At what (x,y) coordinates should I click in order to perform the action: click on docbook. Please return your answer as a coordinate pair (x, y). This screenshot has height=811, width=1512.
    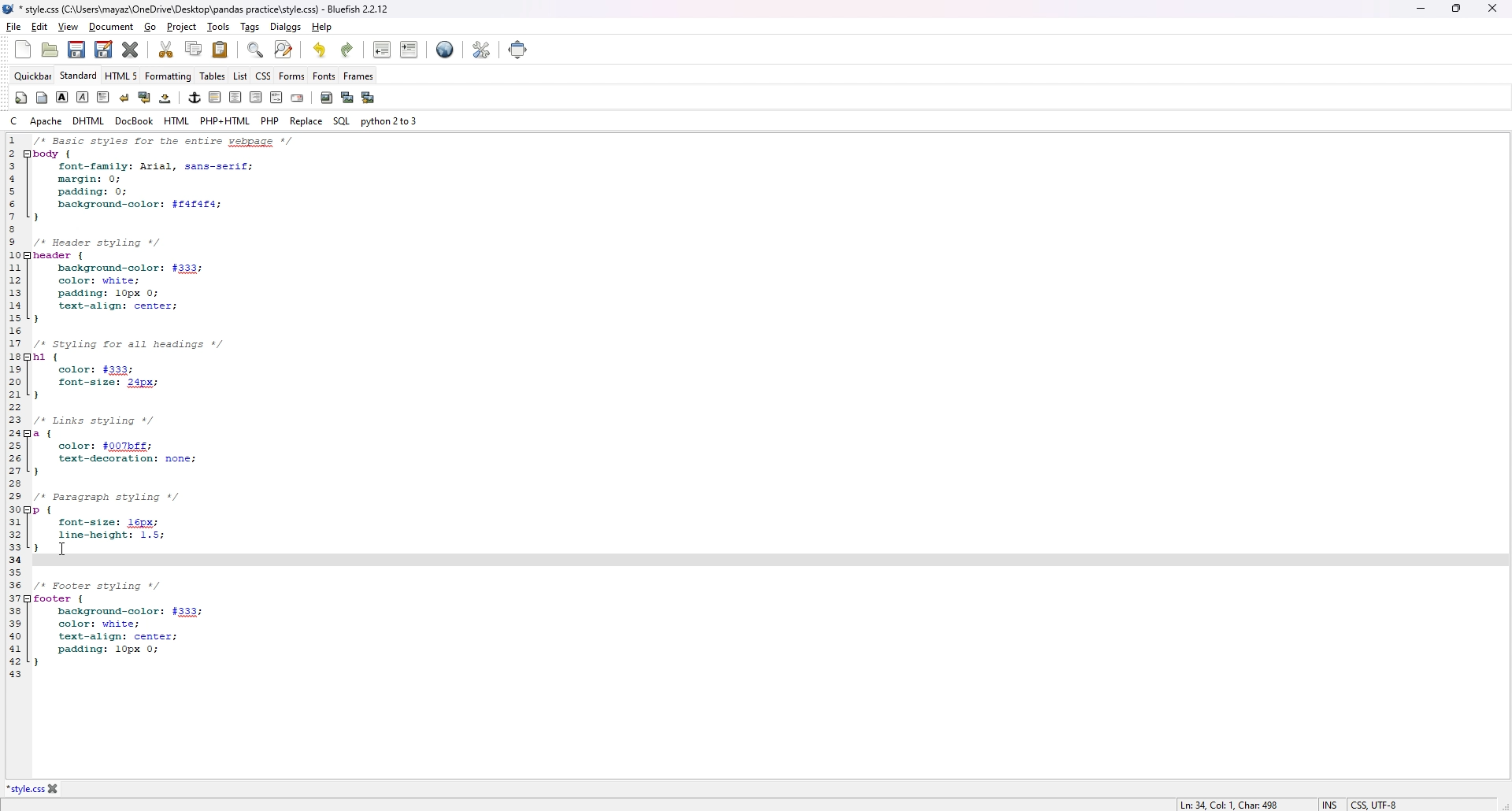
    Looking at the image, I should click on (136, 120).